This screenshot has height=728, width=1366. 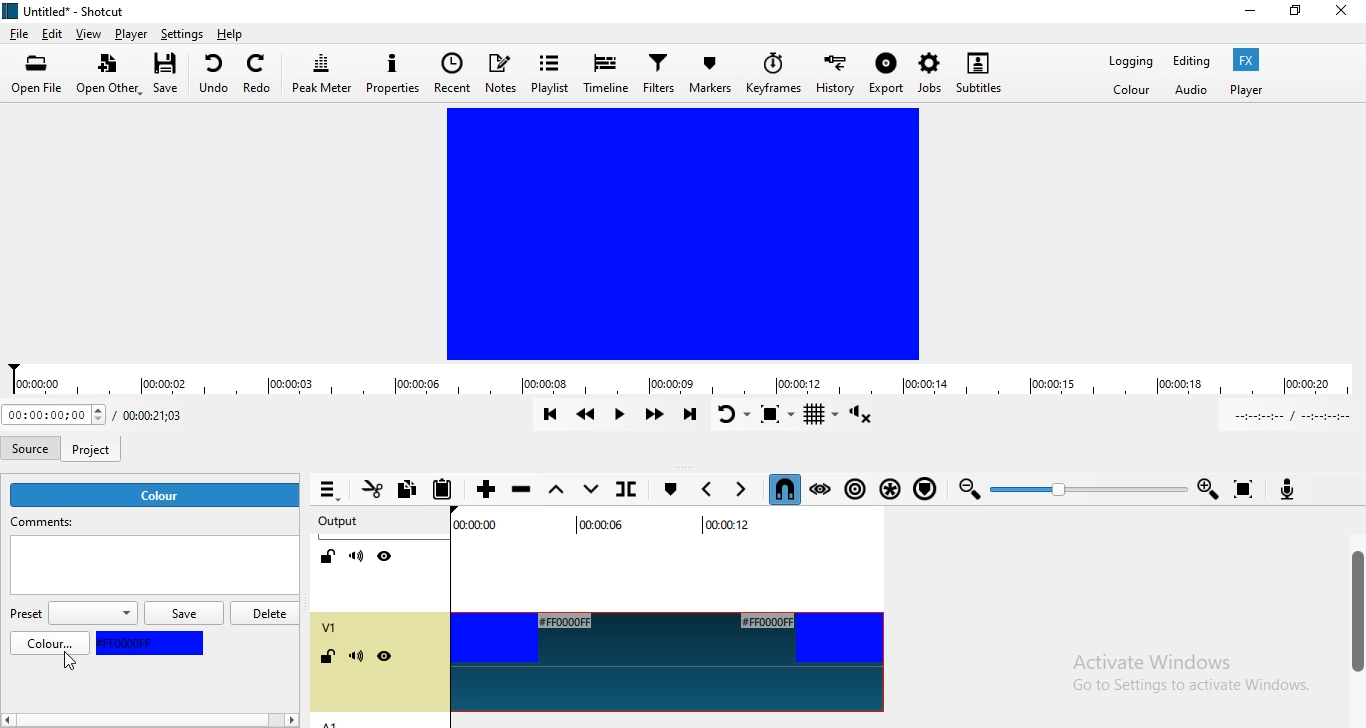 What do you see at coordinates (659, 76) in the screenshot?
I see `Filters` at bounding box center [659, 76].